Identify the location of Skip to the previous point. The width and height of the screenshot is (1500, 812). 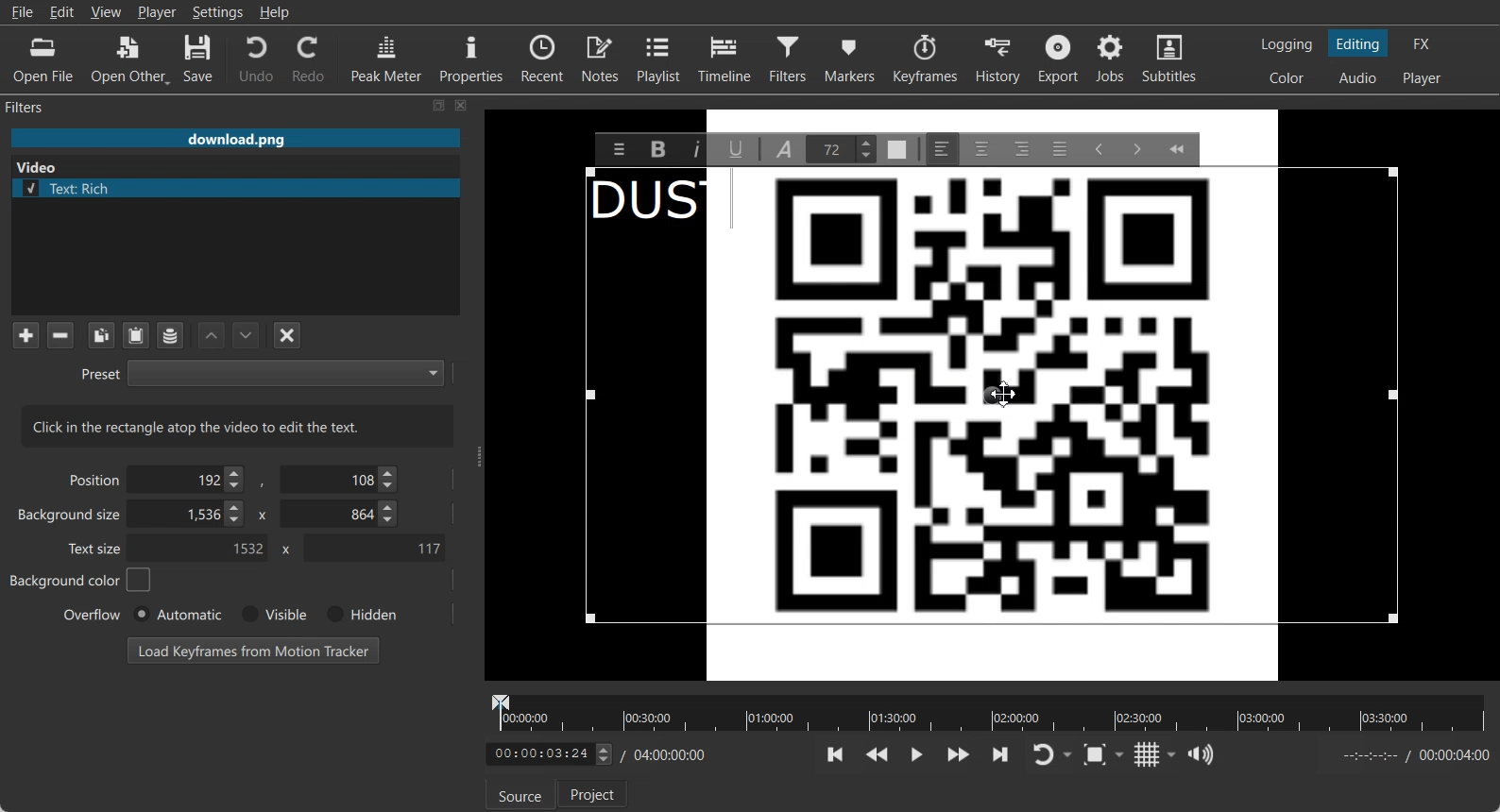
(836, 753).